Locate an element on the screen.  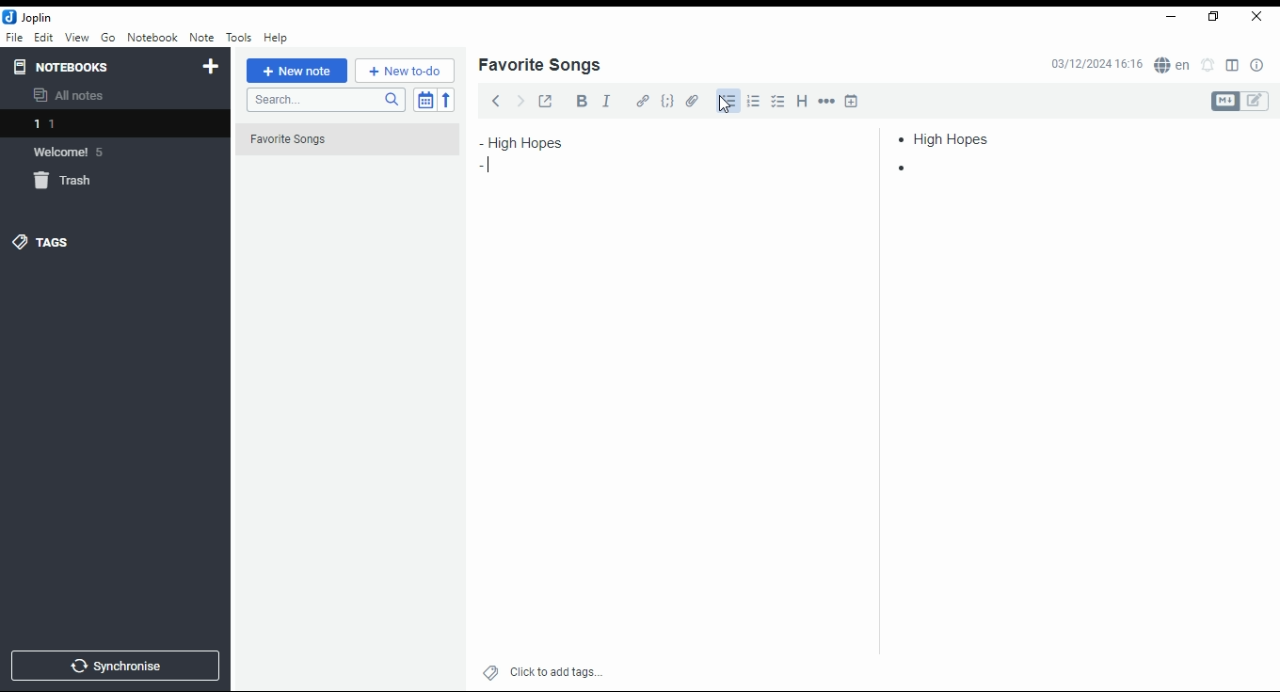
high hopes is located at coordinates (953, 139).